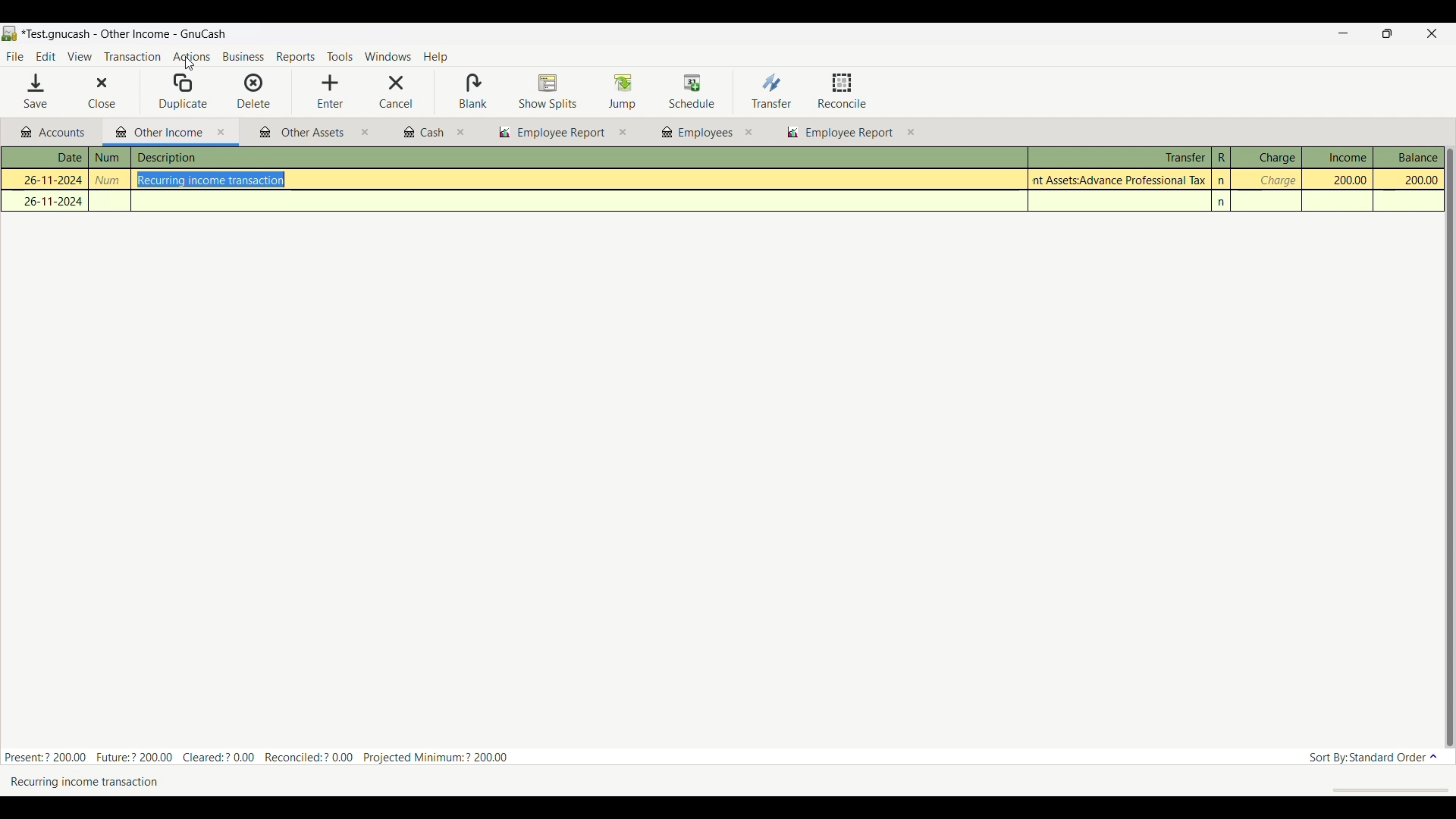  Describe the element at coordinates (462, 133) in the screenshot. I see `close` at that location.